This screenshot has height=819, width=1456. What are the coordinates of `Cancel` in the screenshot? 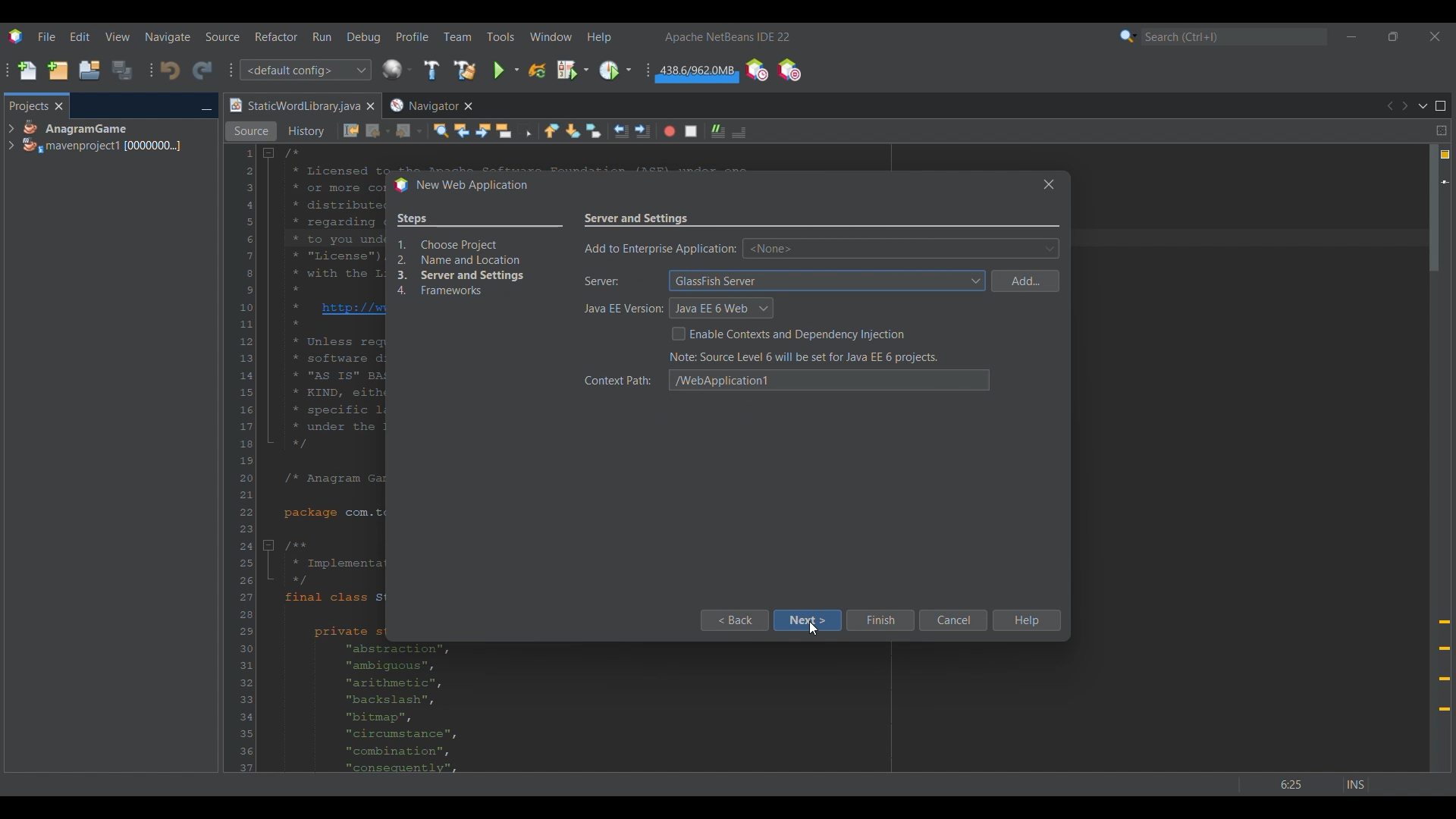 It's located at (952, 620).